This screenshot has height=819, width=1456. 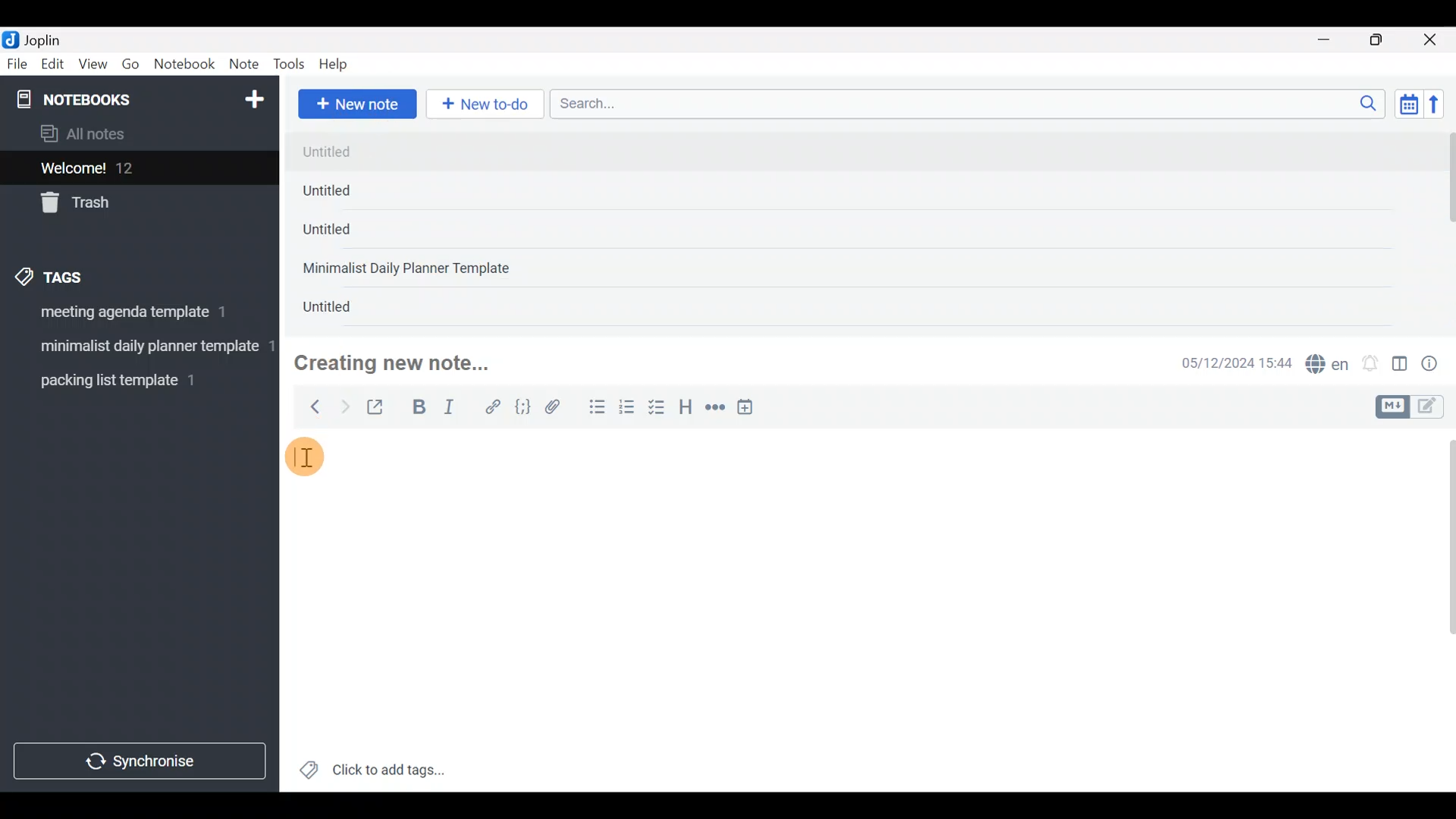 What do you see at coordinates (627, 410) in the screenshot?
I see `Numbered list` at bounding box center [627, 410].